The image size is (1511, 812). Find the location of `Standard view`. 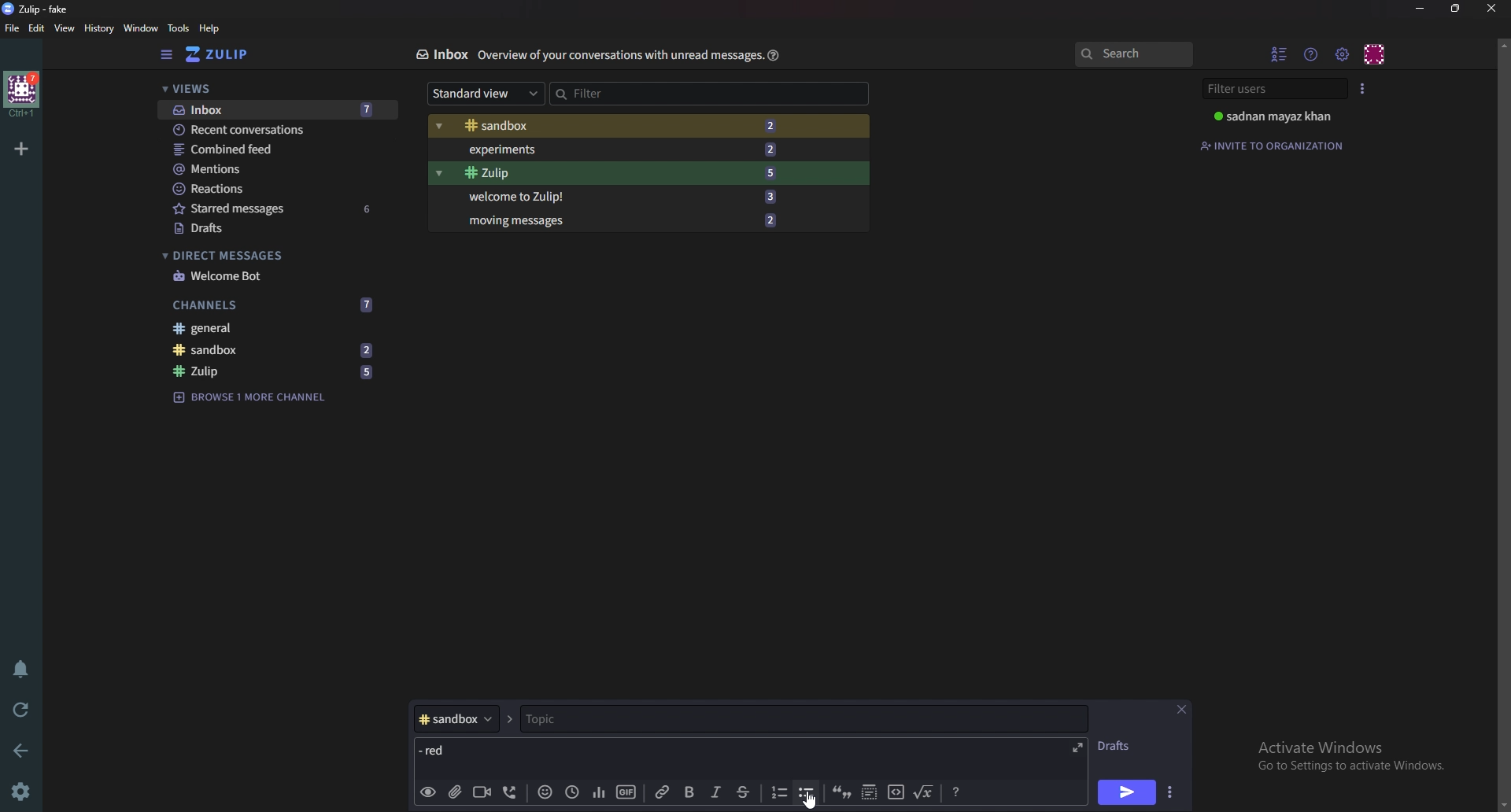

Standard view is located at coordinates (486, 92).